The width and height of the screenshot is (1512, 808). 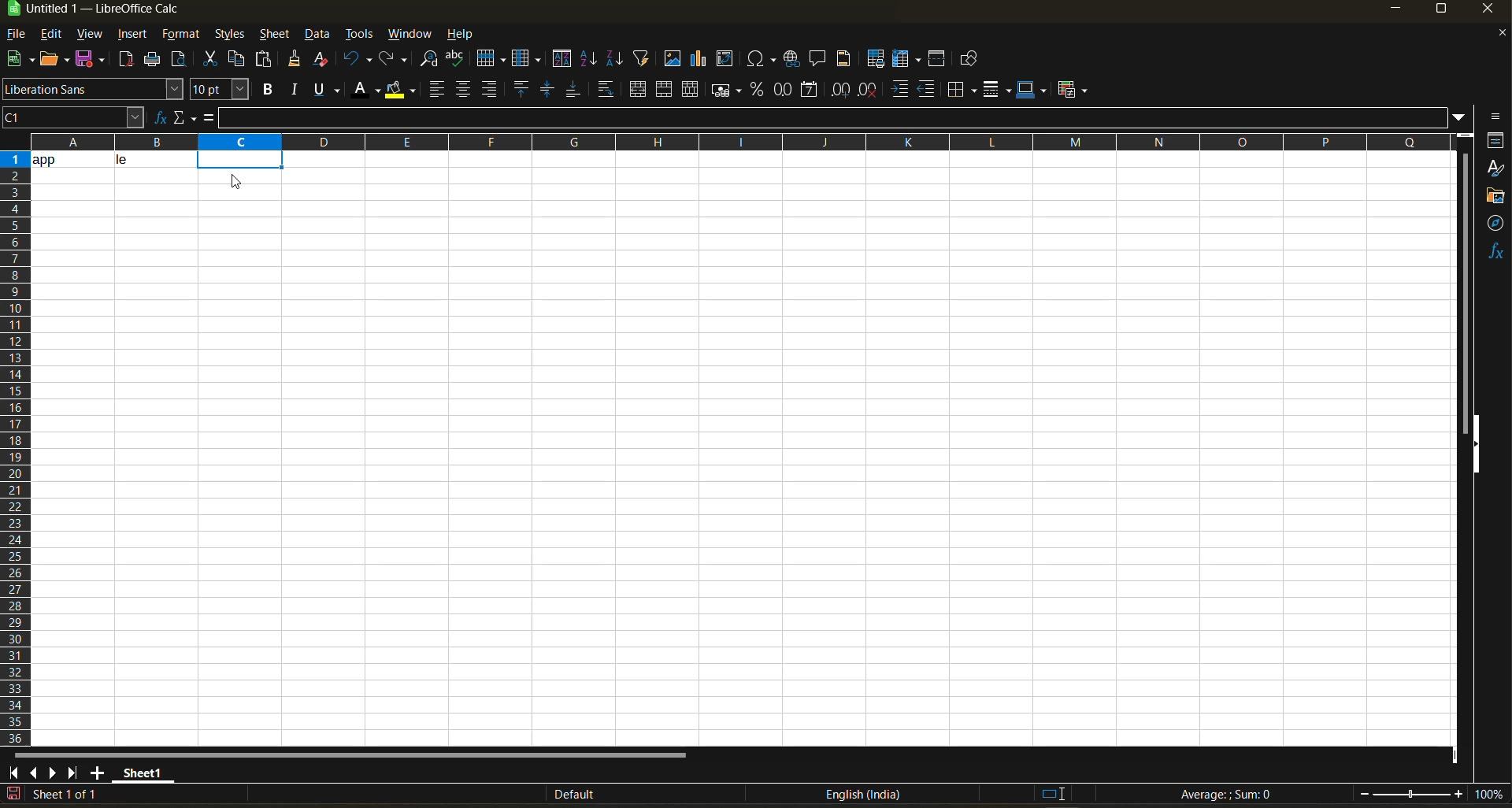 I want to click on expand formula bar, so click(x=1459, y=116).